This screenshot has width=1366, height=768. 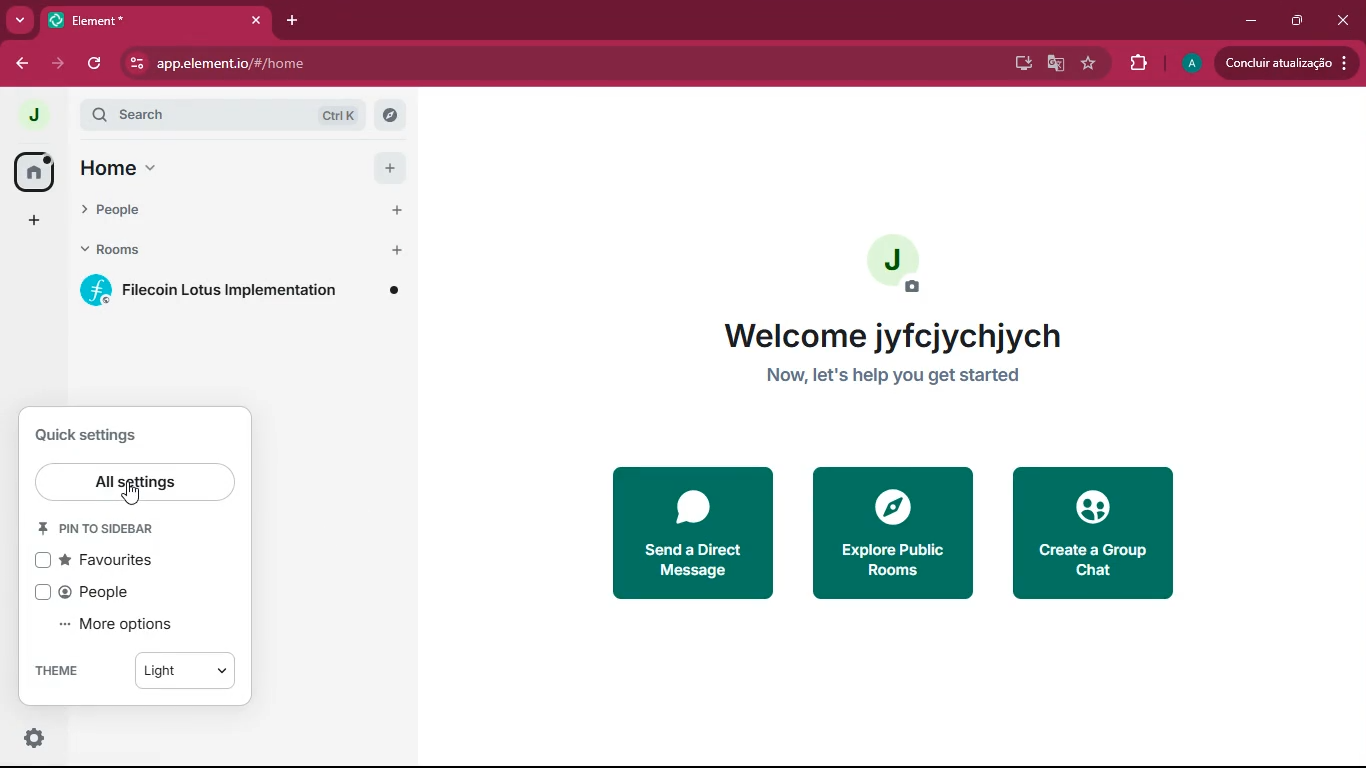 I want to click on home, so click(x=32, y=171).